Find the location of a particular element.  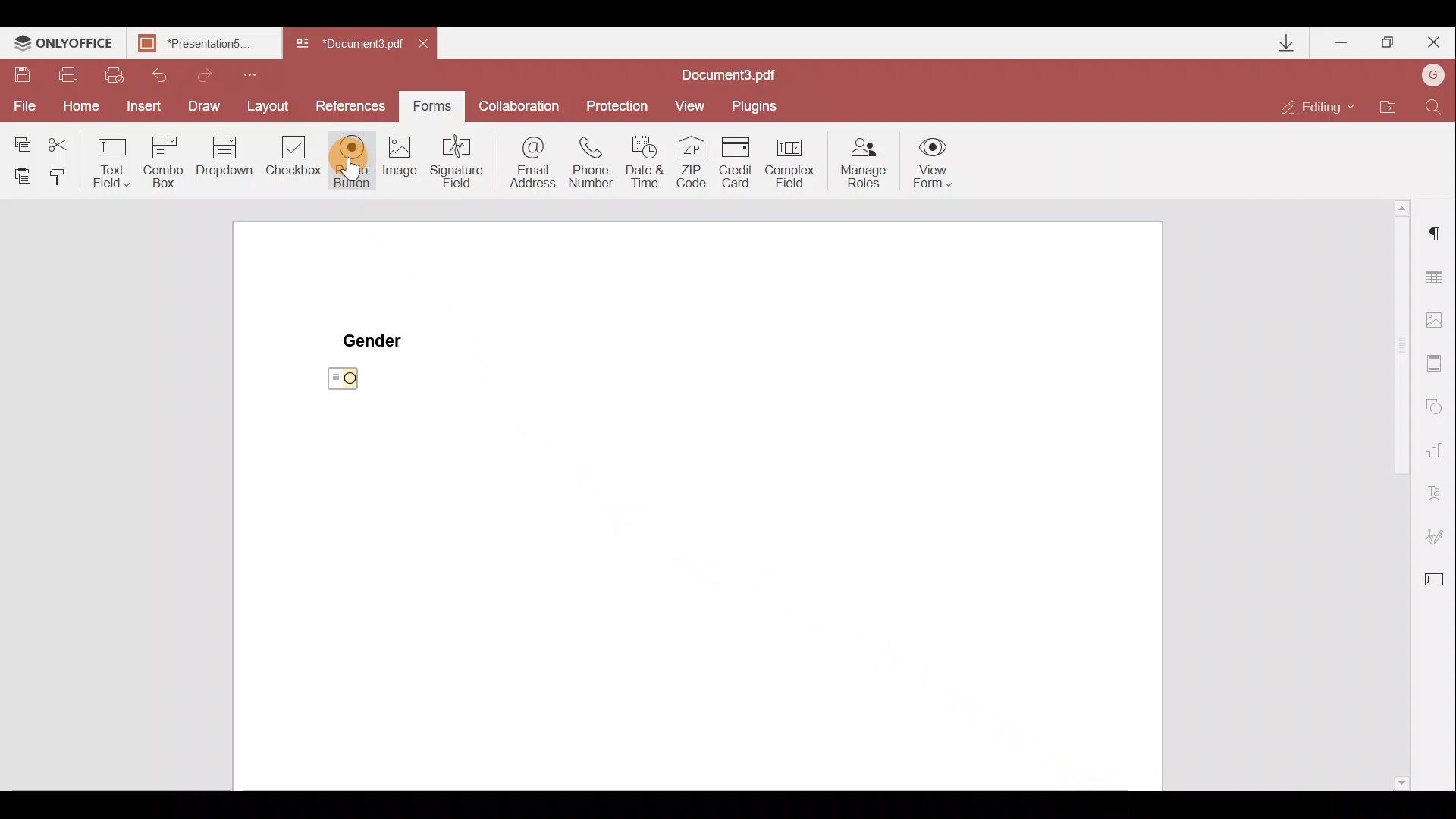

Minimize is located at coordinates (1341, 42).